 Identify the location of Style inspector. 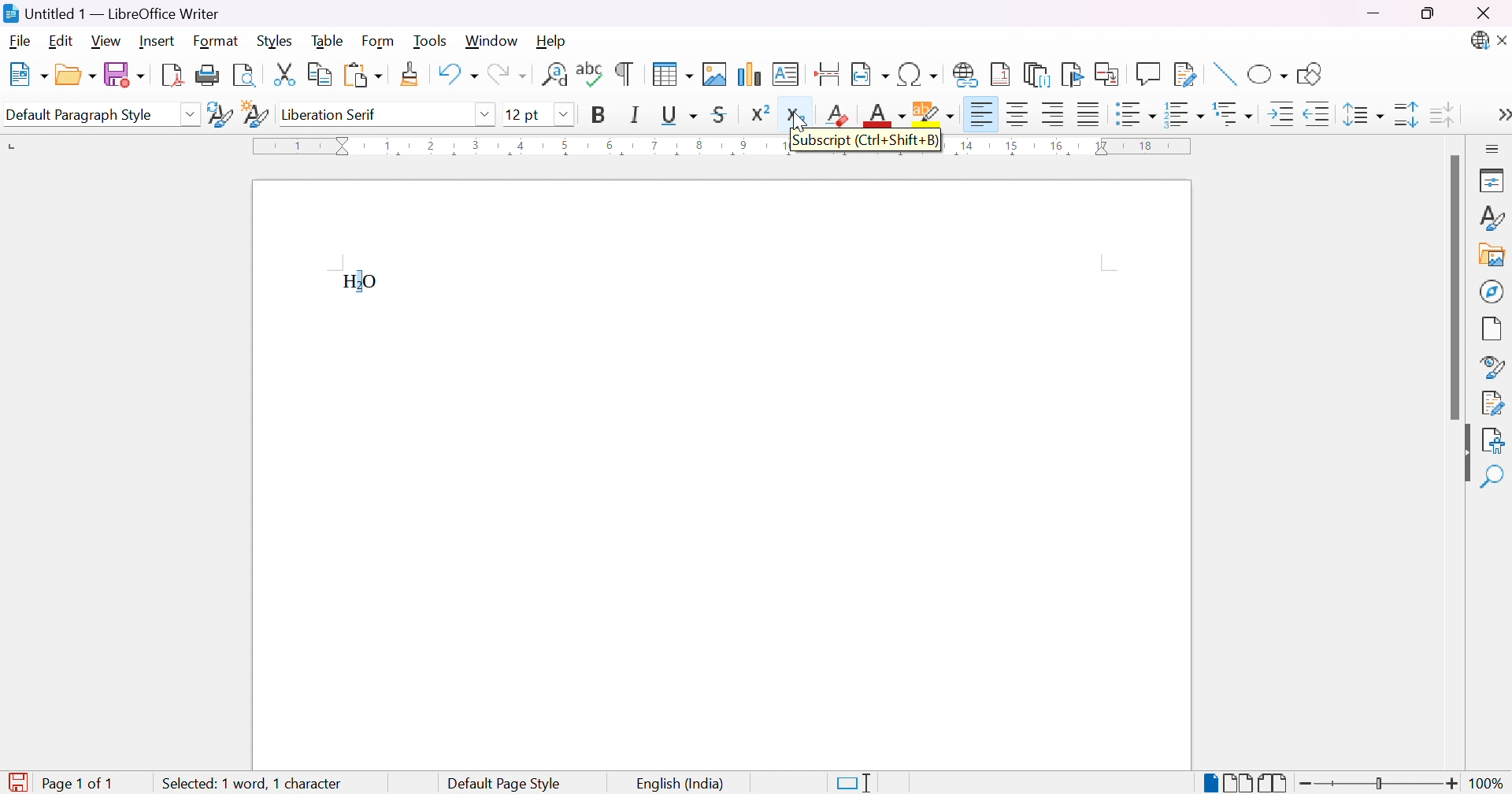
(1492, 368).